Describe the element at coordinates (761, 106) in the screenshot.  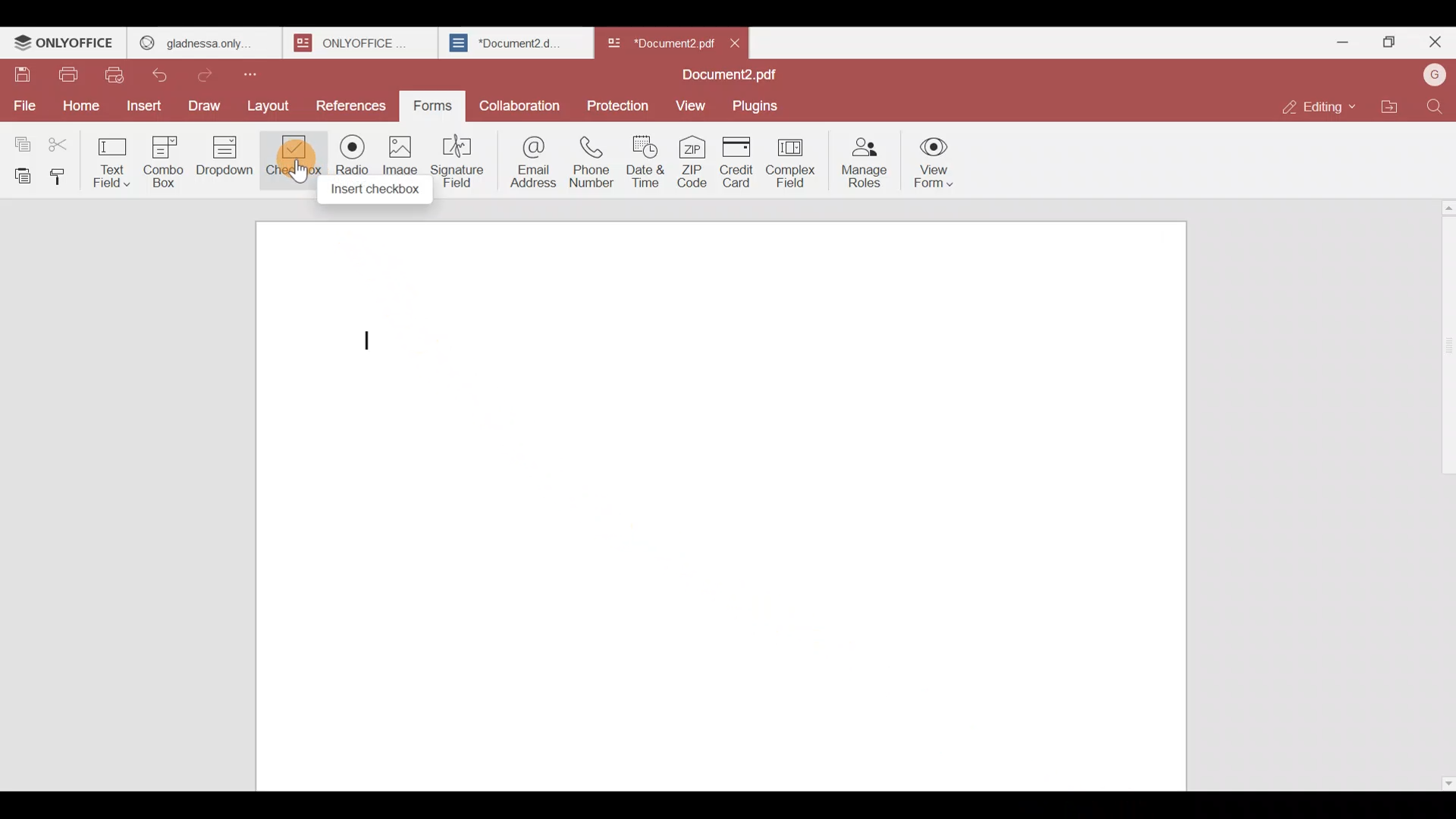
I see `Plugins` at that location.